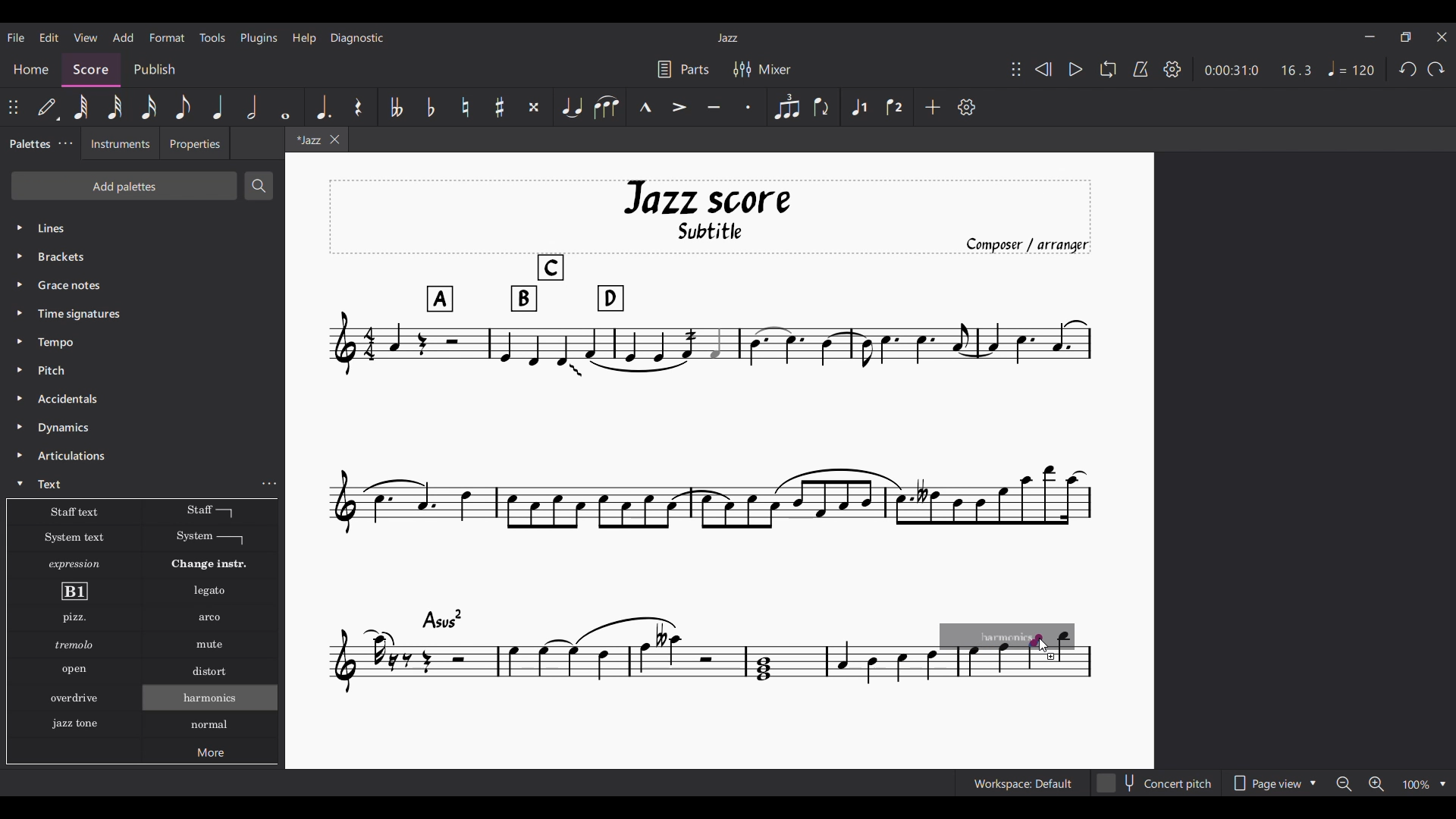 This screenshot has height=819, width=1456. What do you see at coordinates (71, 670) in the screenshot?
I see `` at bounding box center [71, 670].